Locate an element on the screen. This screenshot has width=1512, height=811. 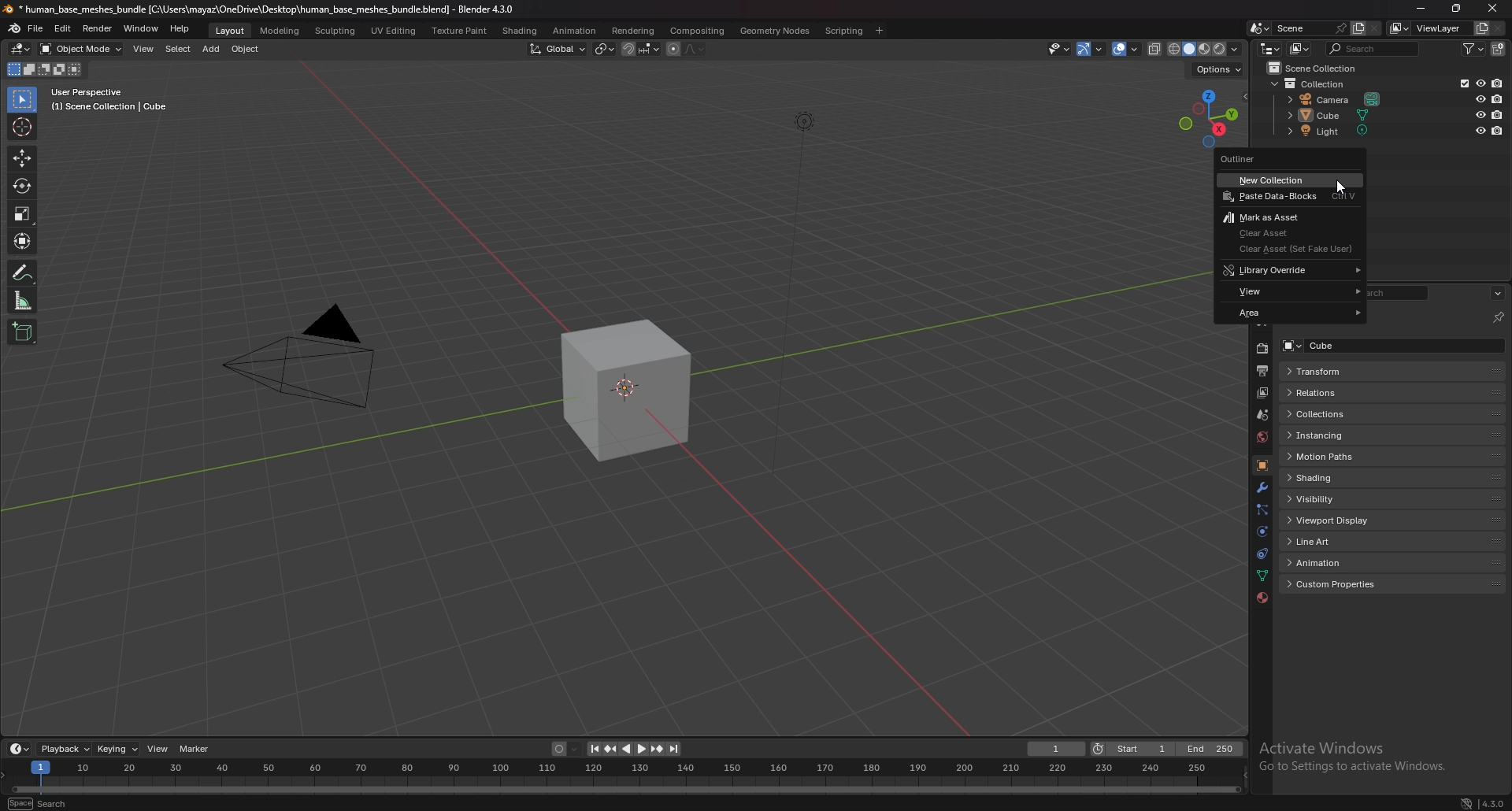
rotate is located at coordinates (23, 185).